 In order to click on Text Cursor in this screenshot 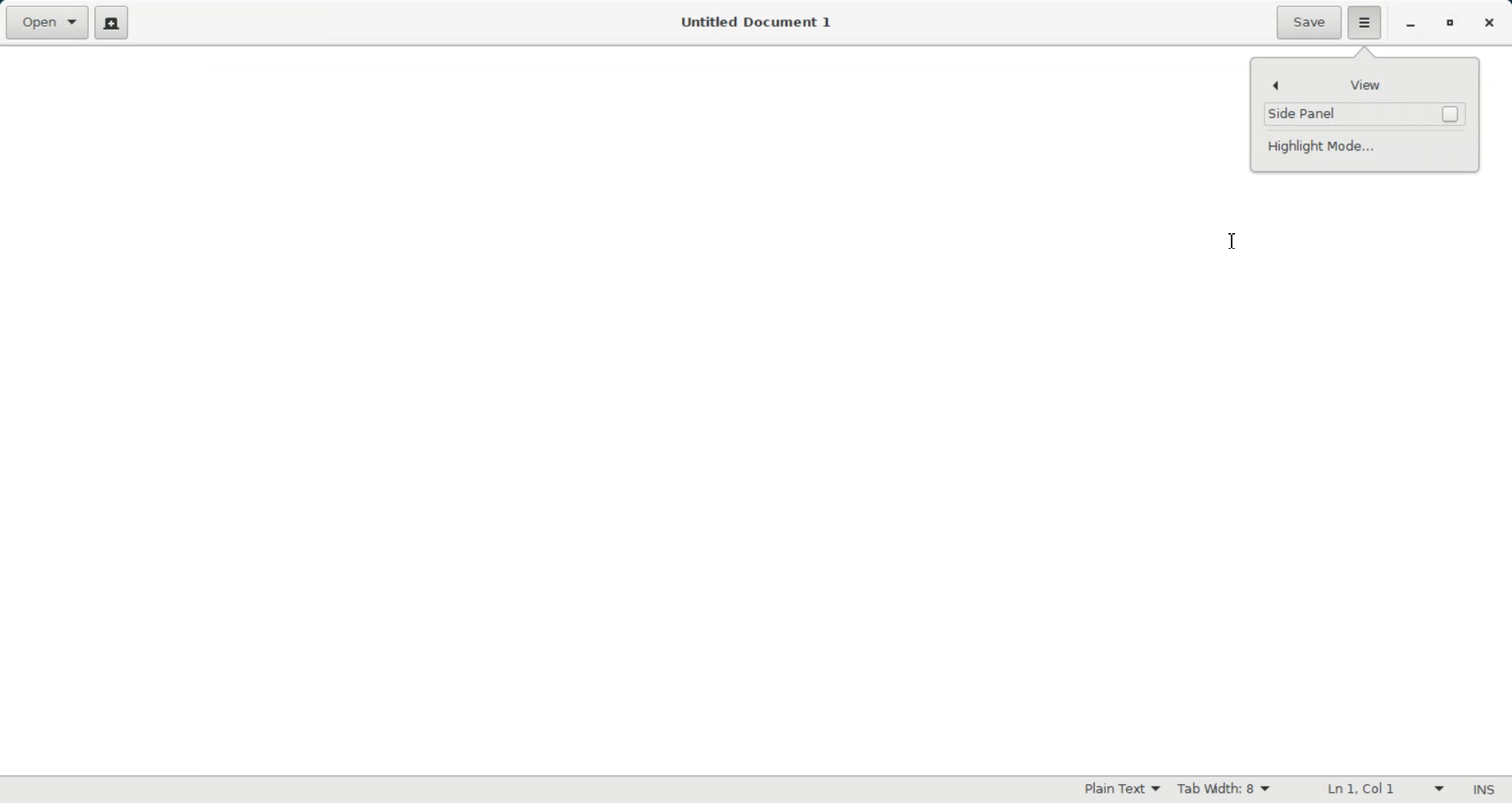, I will do `click(1232, 241)`.